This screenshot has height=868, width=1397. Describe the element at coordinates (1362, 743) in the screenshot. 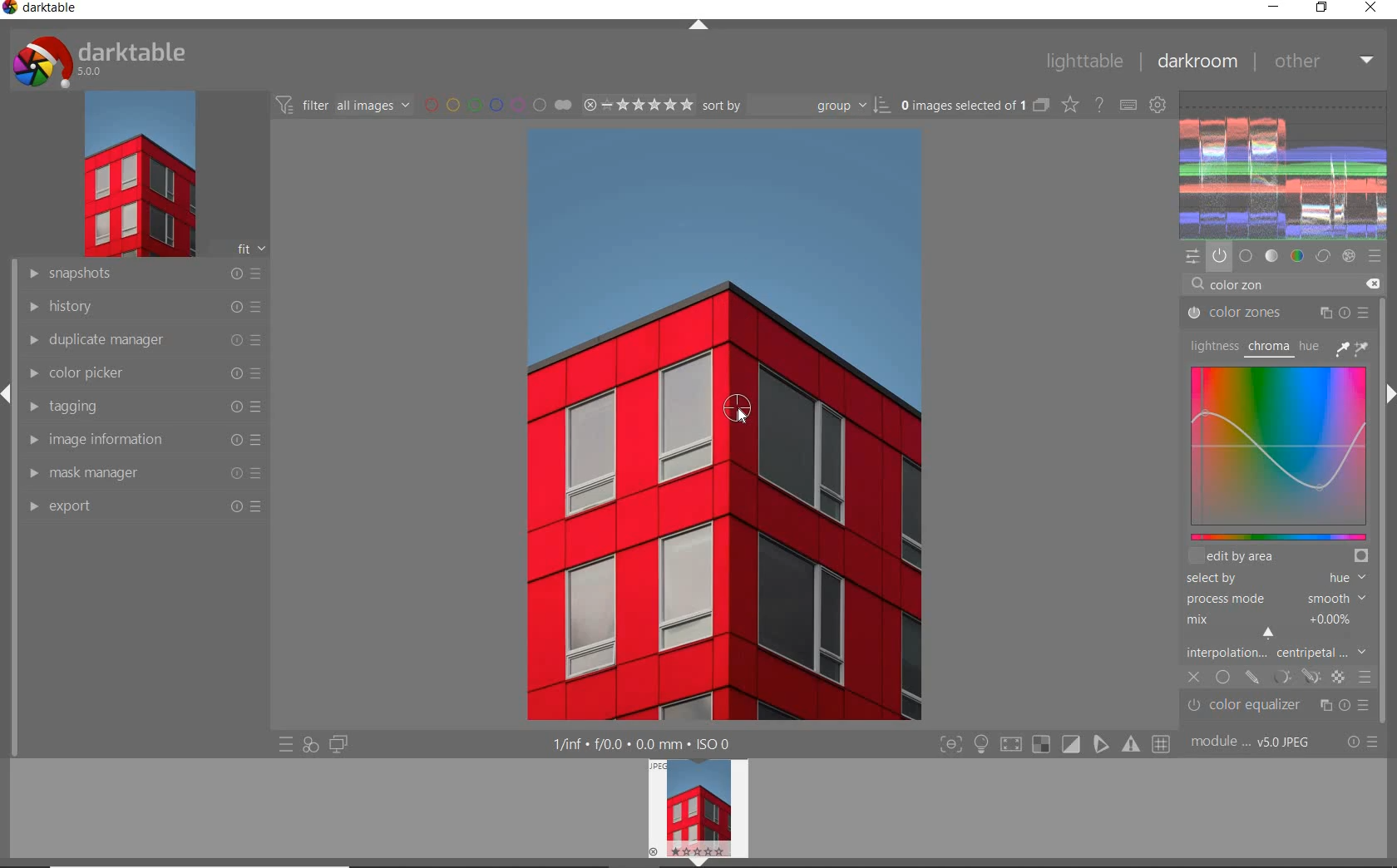

I see `reset or presets & preferences` at that location.